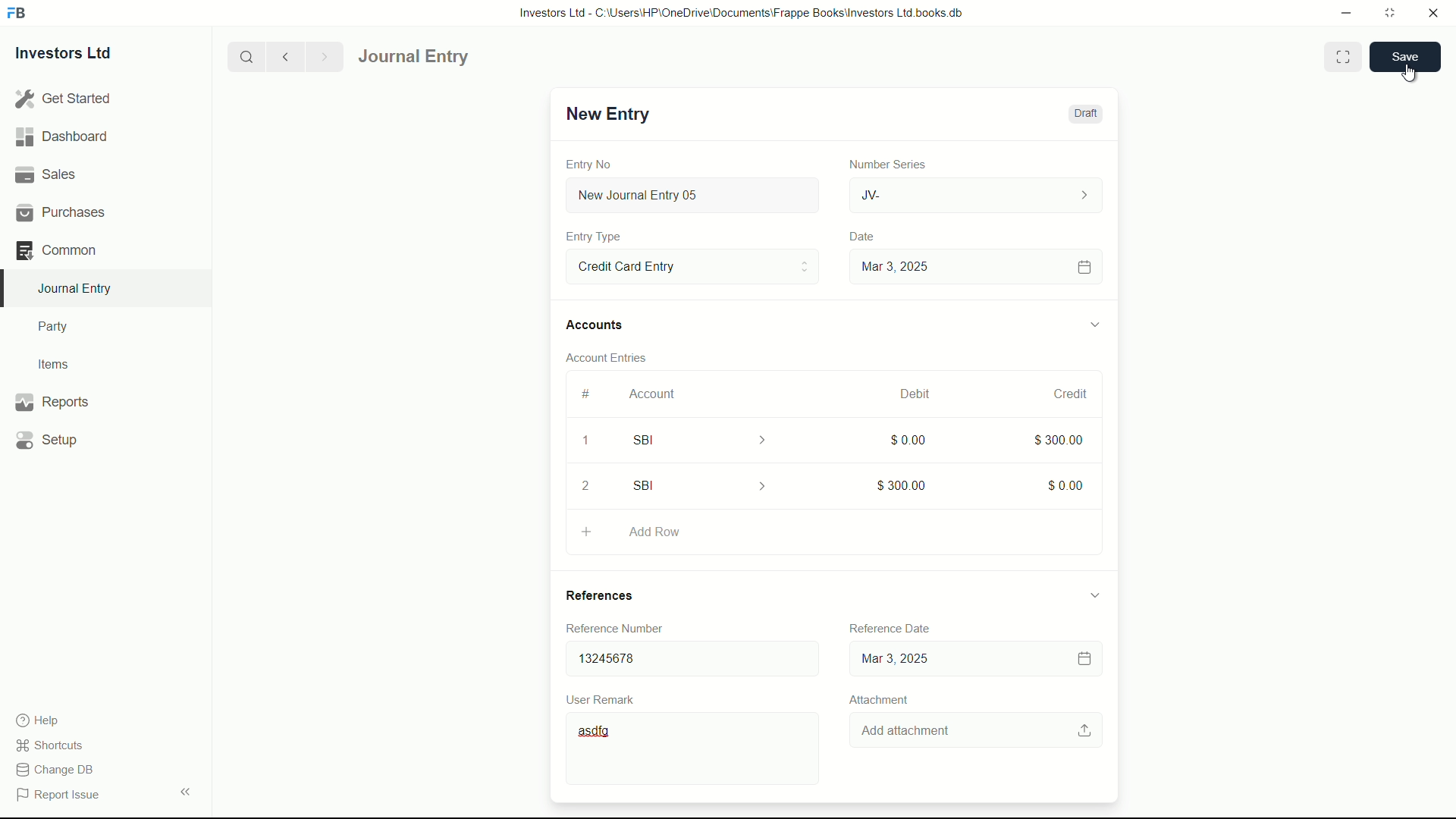  What do you see at coordinates (878, 699) in the screenshot?
I see `Attachment` at bounding box center [878, 699].